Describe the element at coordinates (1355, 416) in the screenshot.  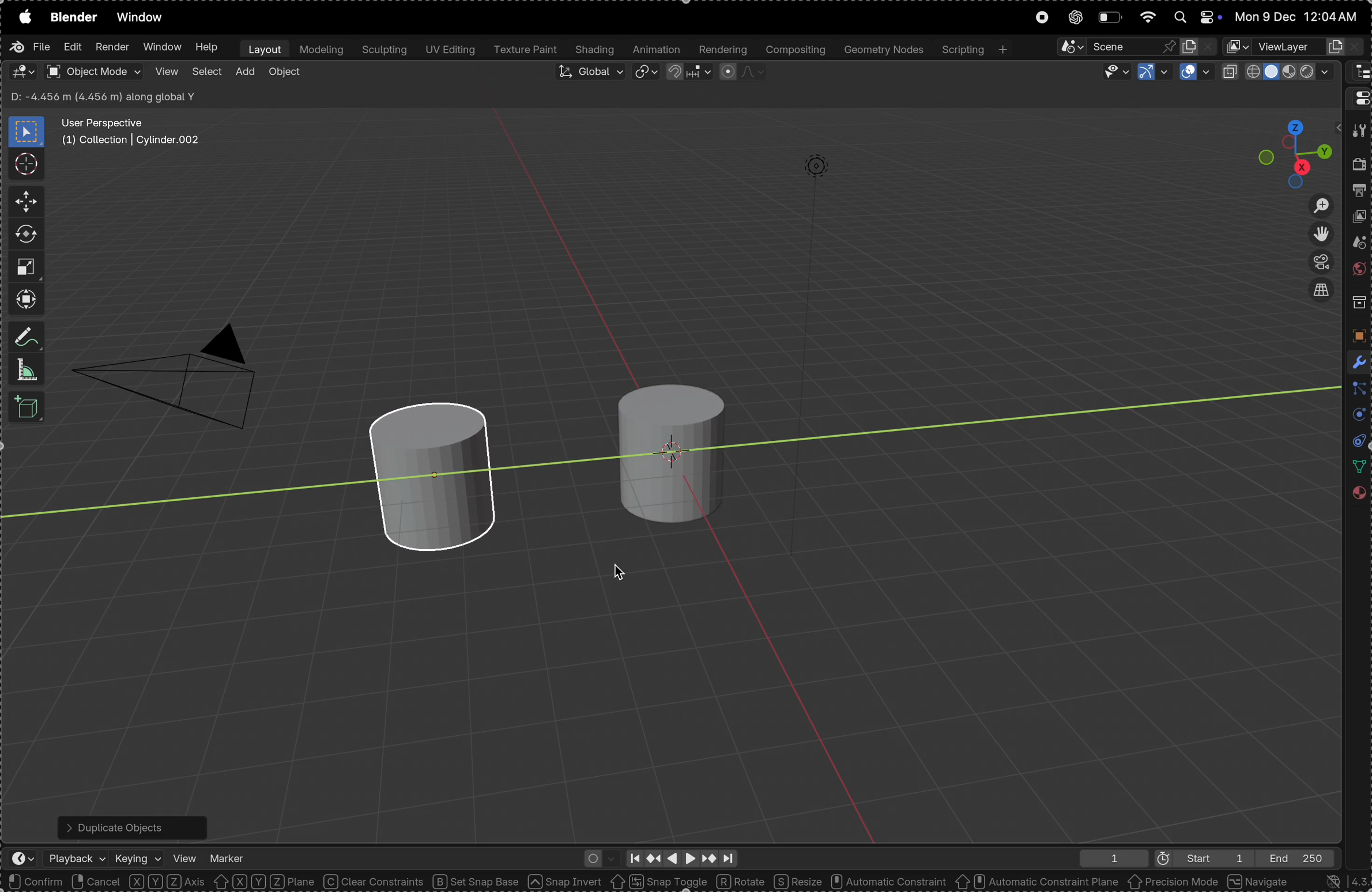
I see `layers` at that location.